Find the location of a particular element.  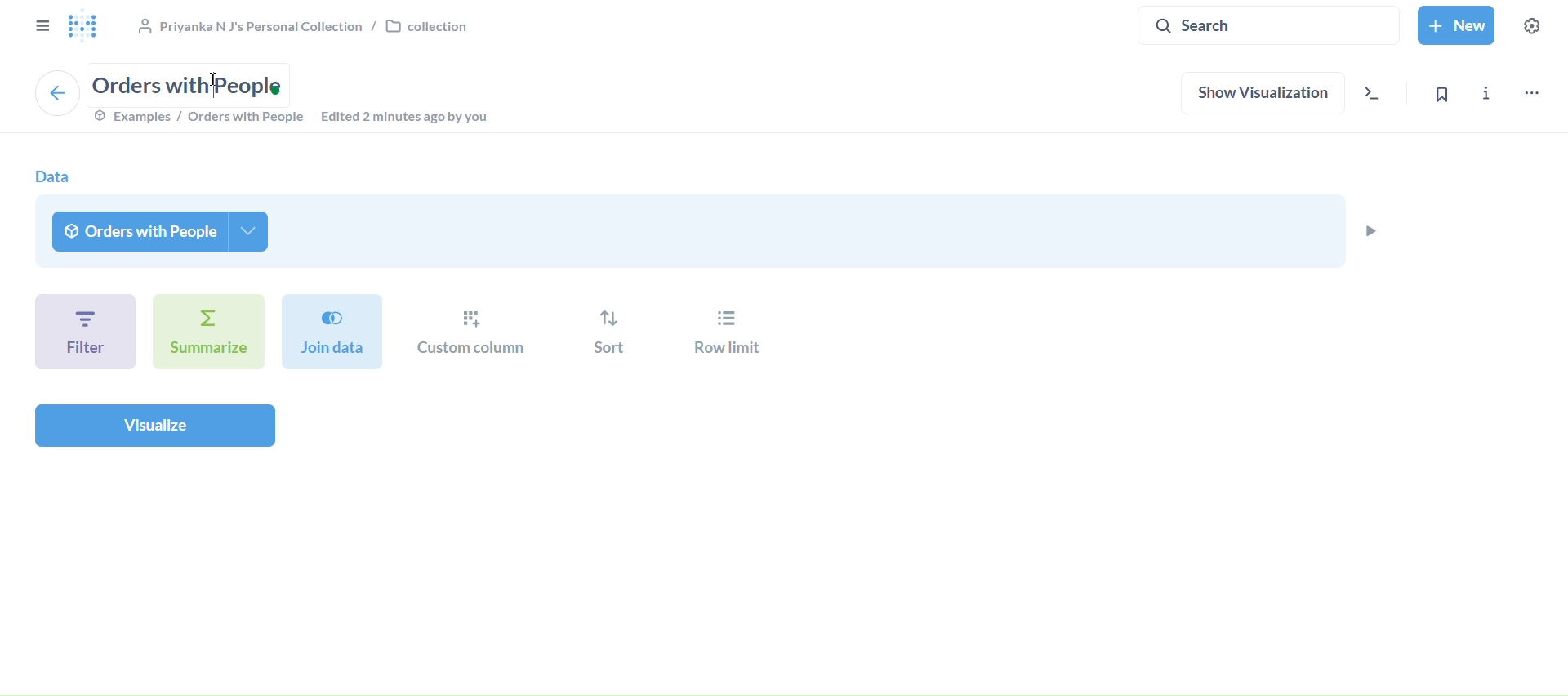

summarize is located at coordinates (208, 332).